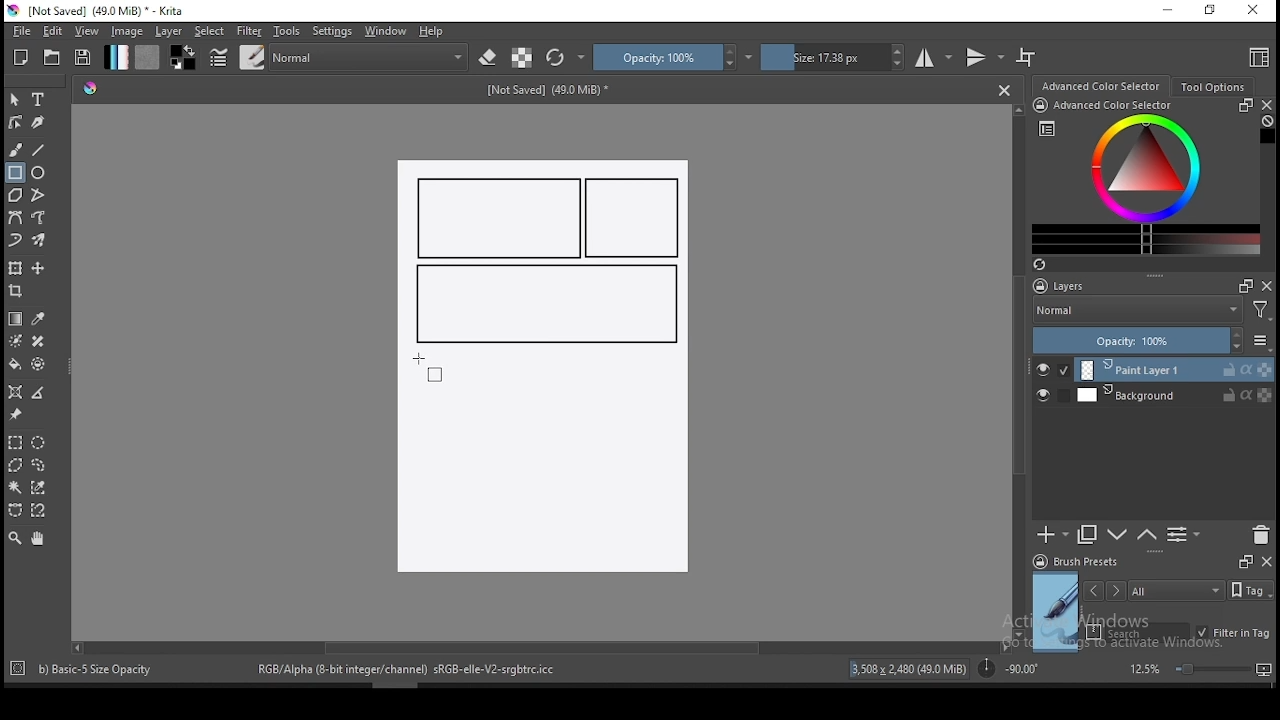 This screenshot has width=1280, height=720. I want to click on new rectangle, so click(636, 219).